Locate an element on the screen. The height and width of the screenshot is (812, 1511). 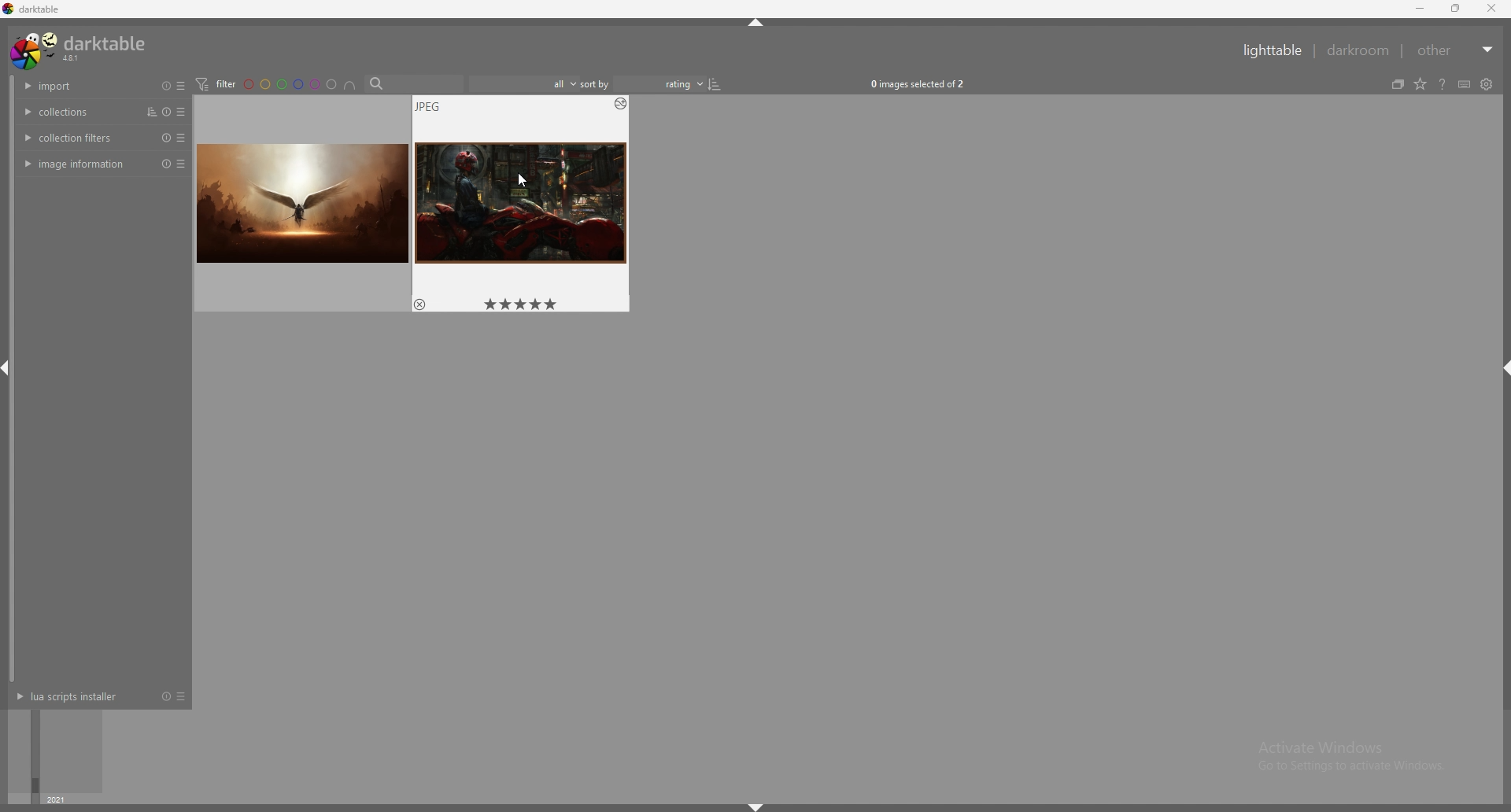
other is located at coordinates (1452, 50).